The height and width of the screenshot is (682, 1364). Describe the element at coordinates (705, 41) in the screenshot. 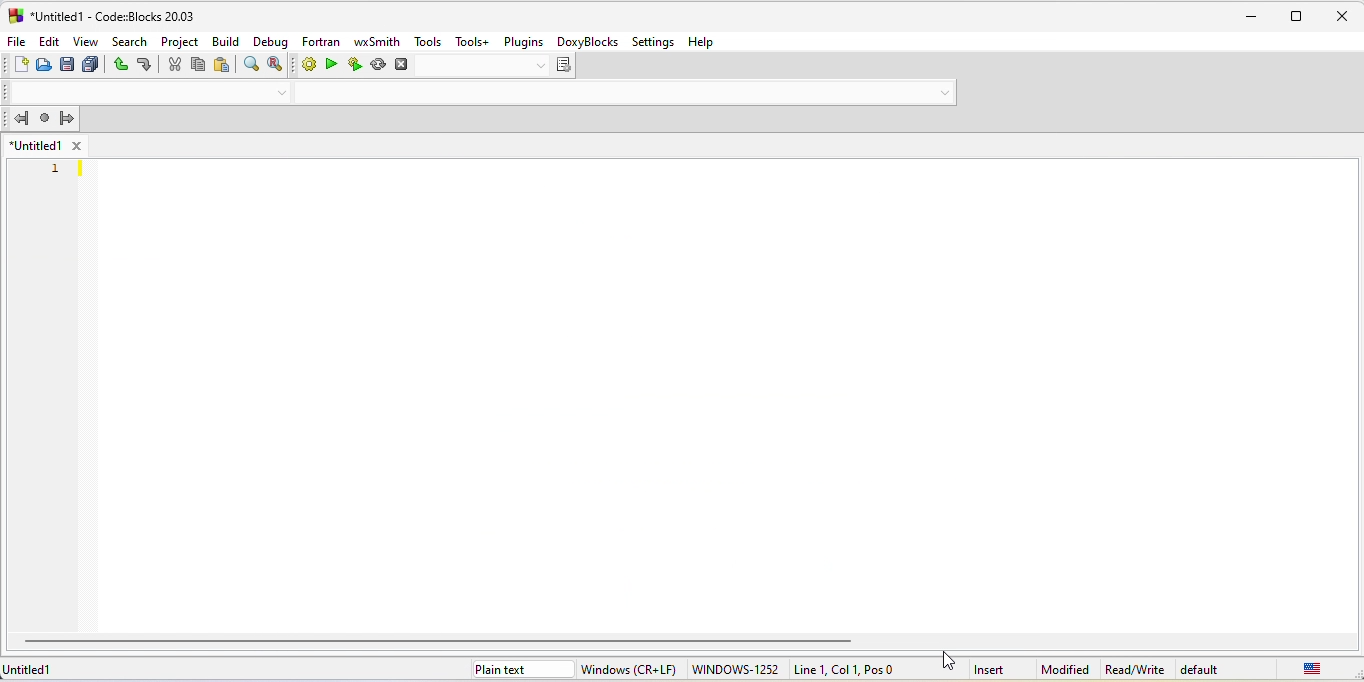

I see `help` at that location.